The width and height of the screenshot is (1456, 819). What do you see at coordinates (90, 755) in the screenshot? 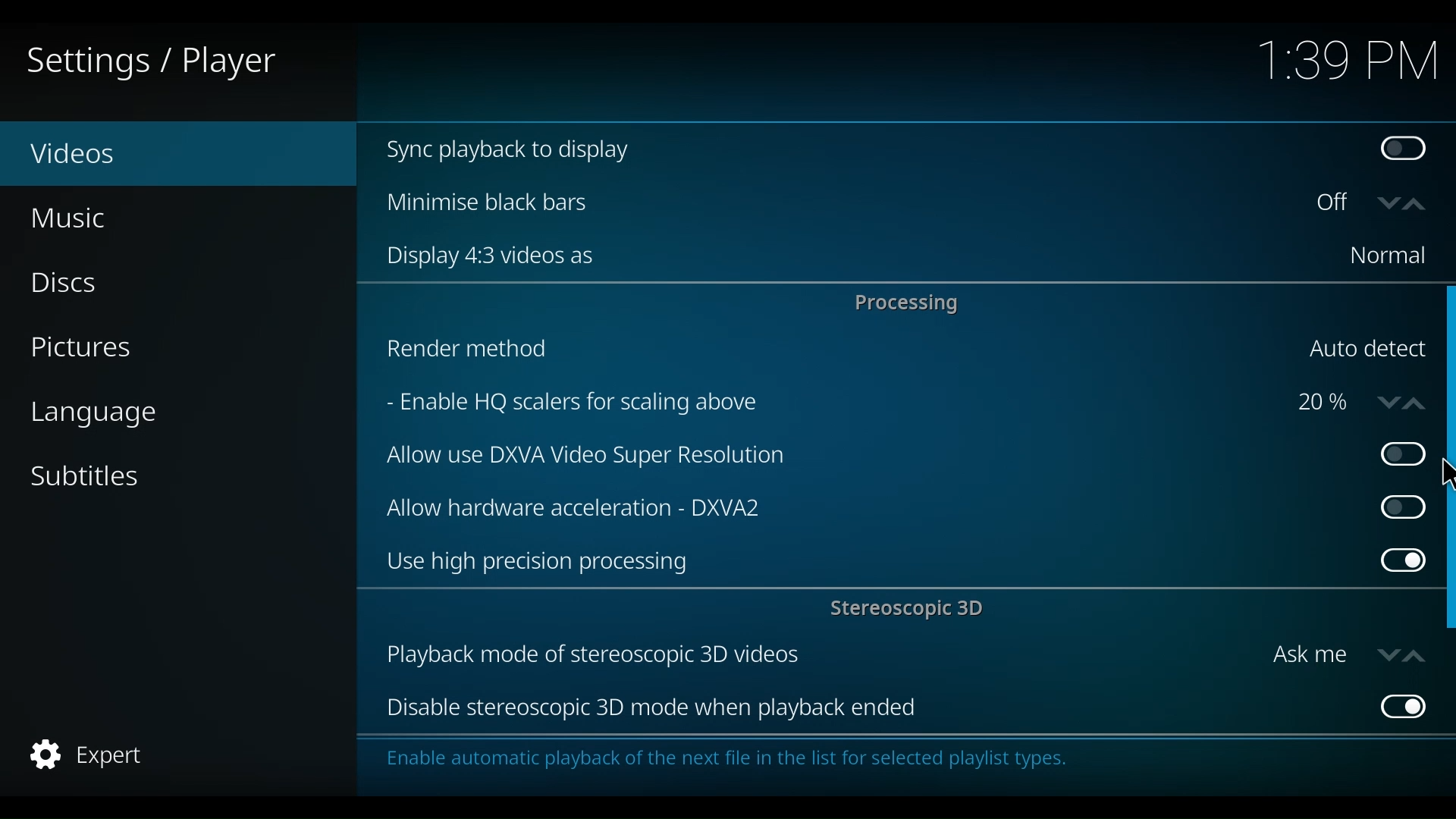
I see `Expert` at bounding box center [90, 755].